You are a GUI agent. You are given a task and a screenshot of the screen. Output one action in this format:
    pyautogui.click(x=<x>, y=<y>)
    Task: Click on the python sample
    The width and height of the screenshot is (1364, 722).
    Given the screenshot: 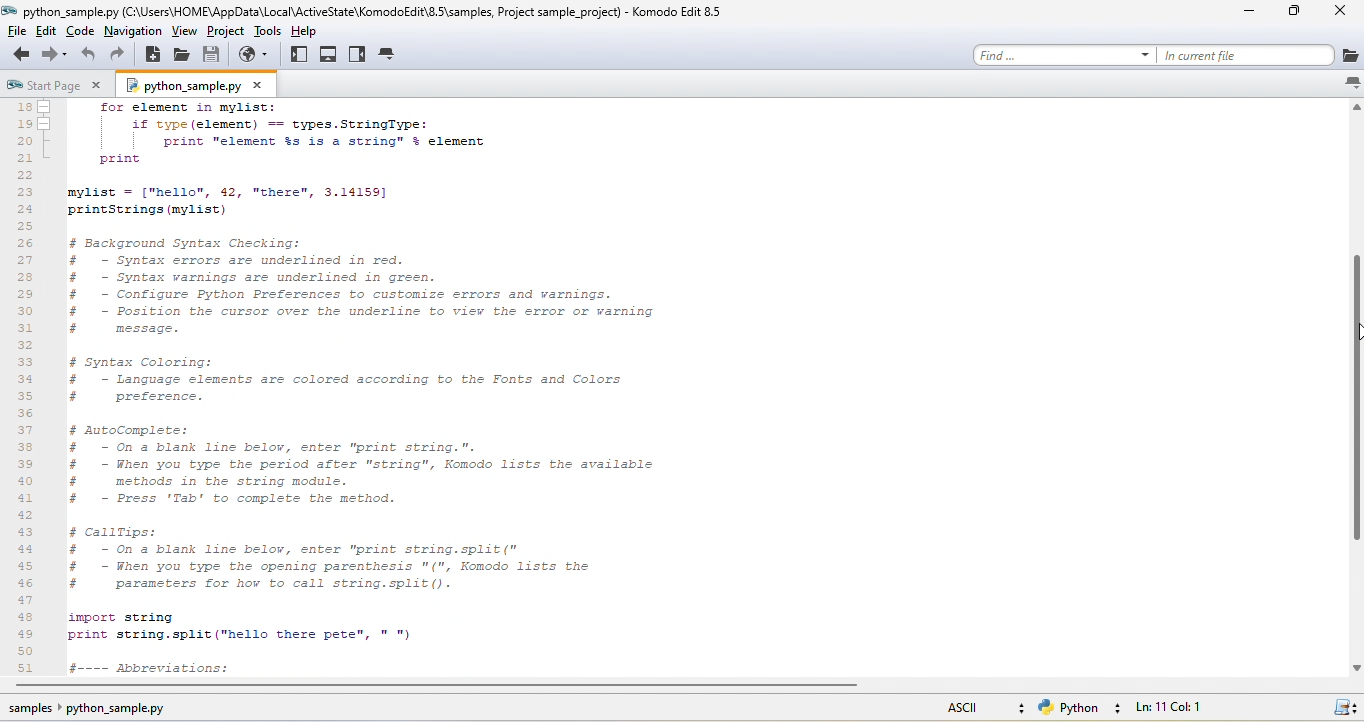 What is the action you would take?
    pyautogui.click(x=199, y=84)
    